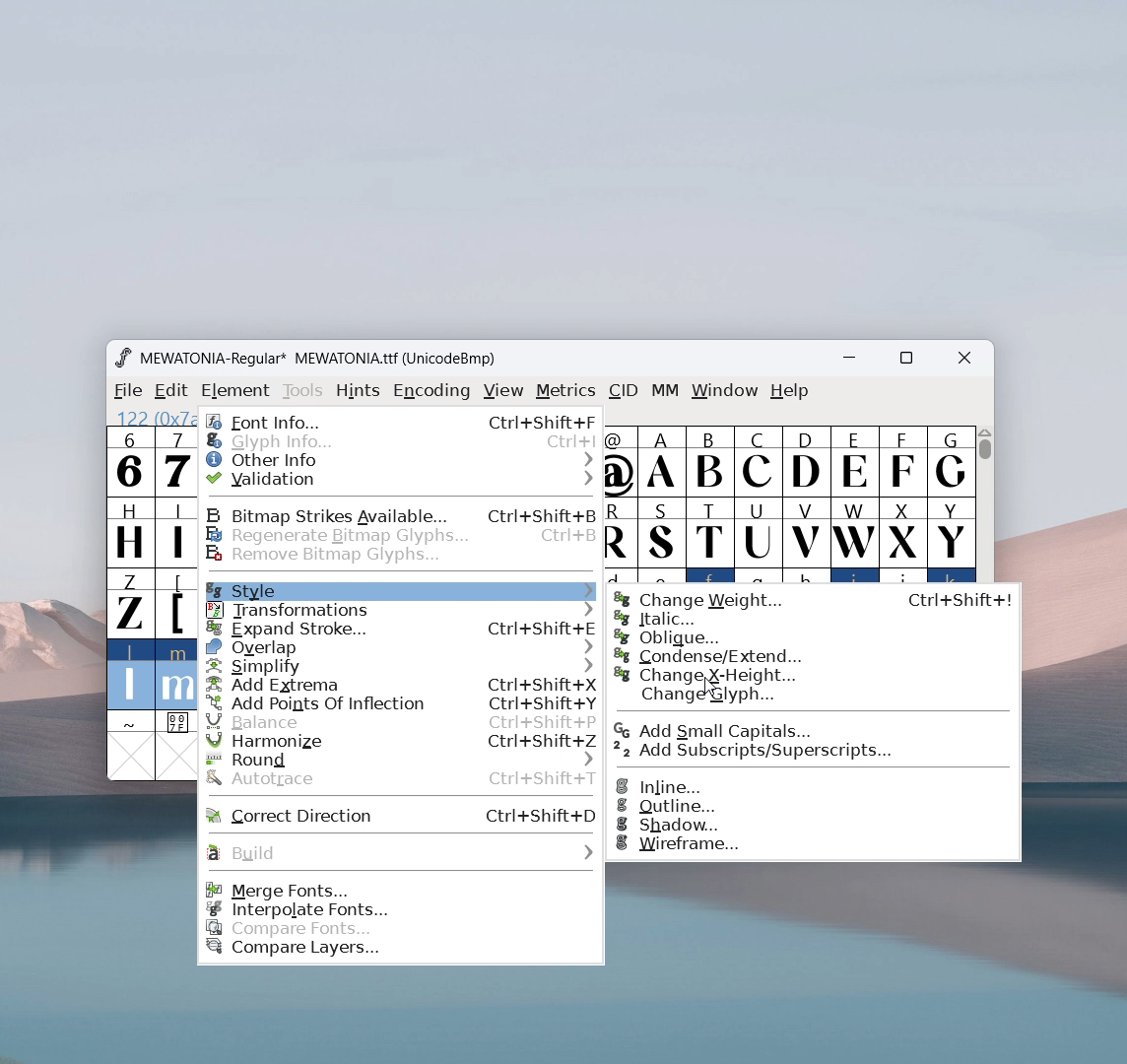  Describe the element at coordinates (401, 685) in the screenshot. I see `add extrema` at that location.